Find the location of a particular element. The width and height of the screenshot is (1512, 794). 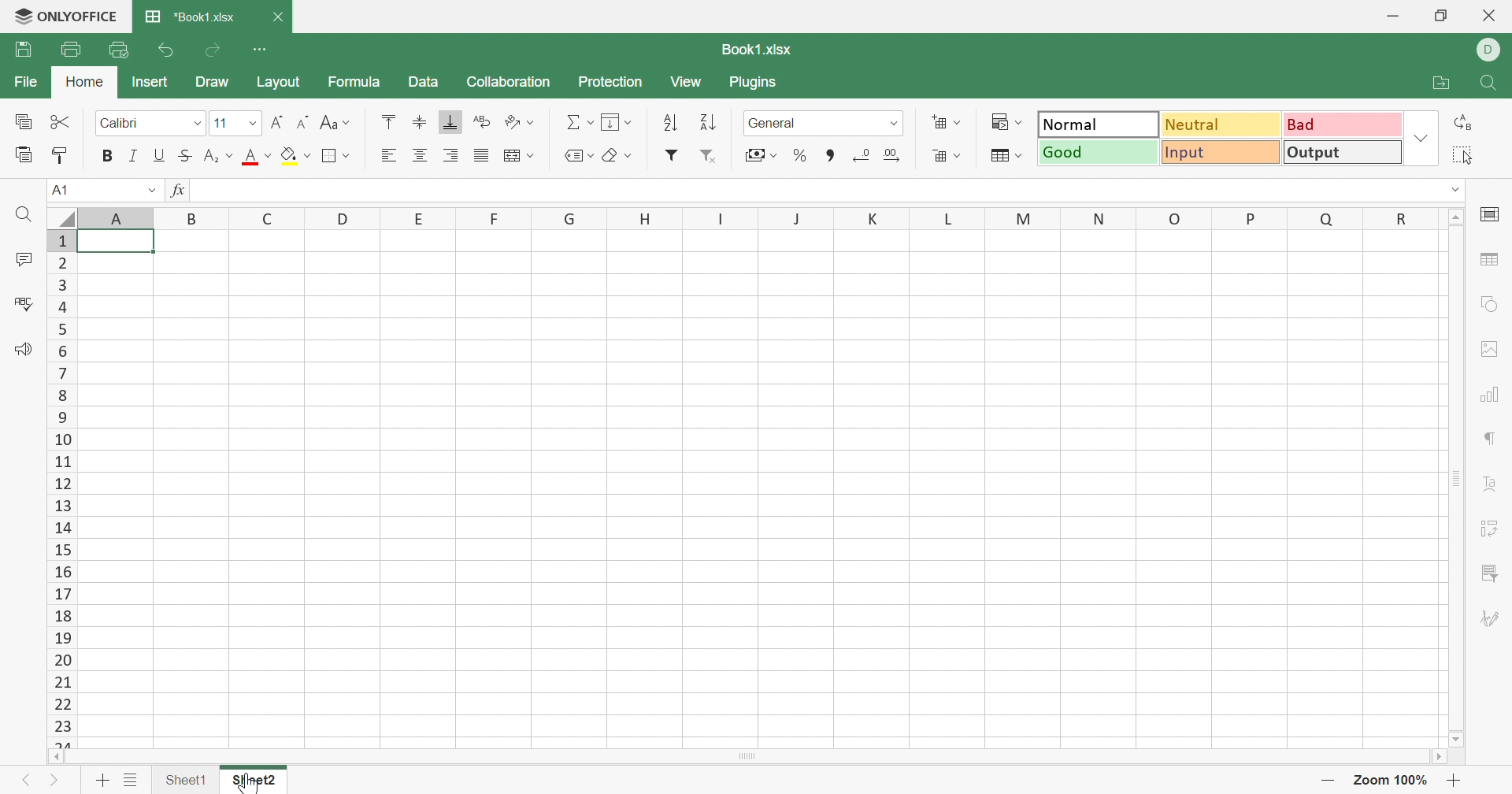

Signature settings is located at coordinates (1491, 617).